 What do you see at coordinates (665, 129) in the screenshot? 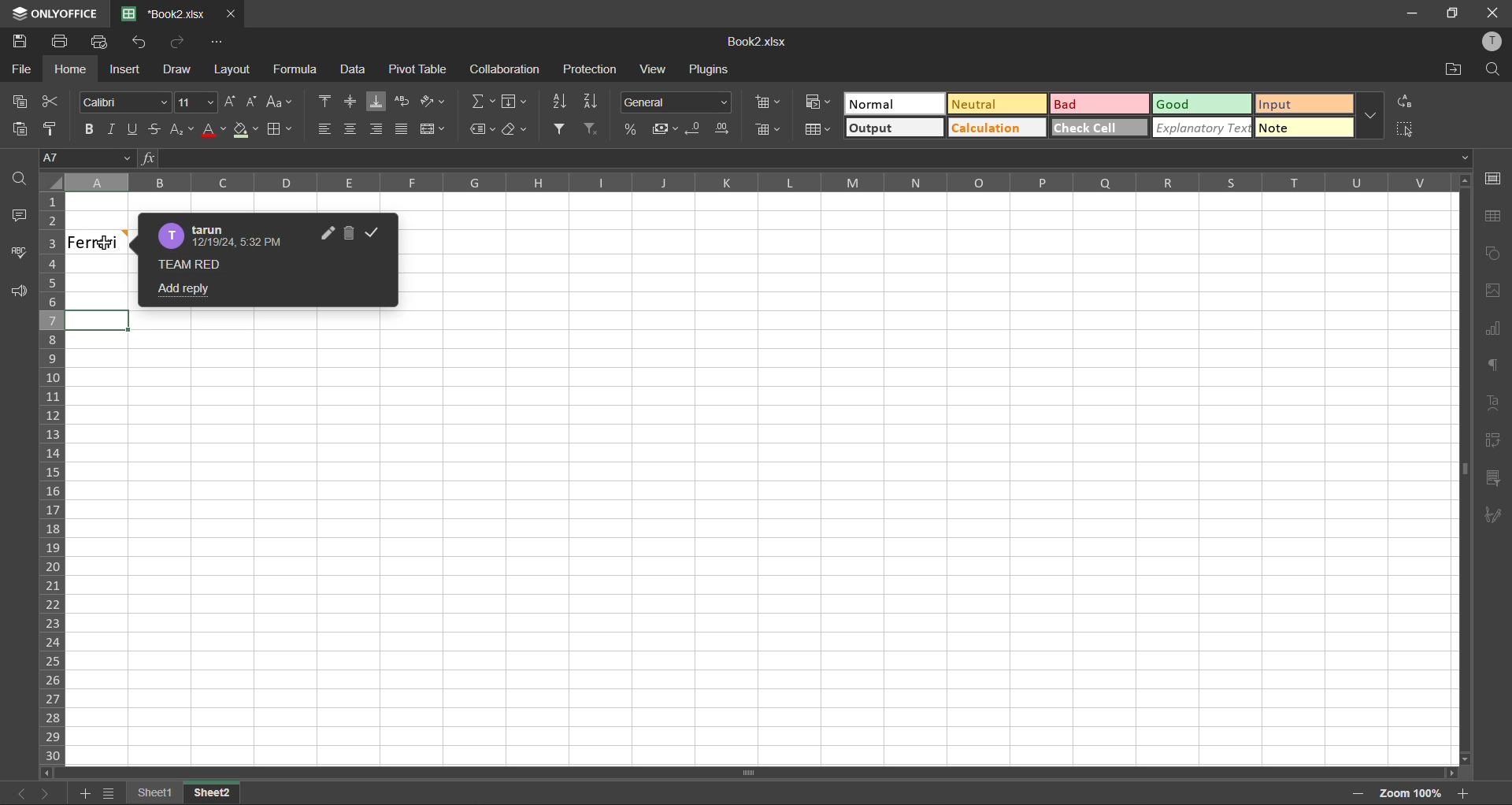
I see `accounting` at bounding box center [665, 129].